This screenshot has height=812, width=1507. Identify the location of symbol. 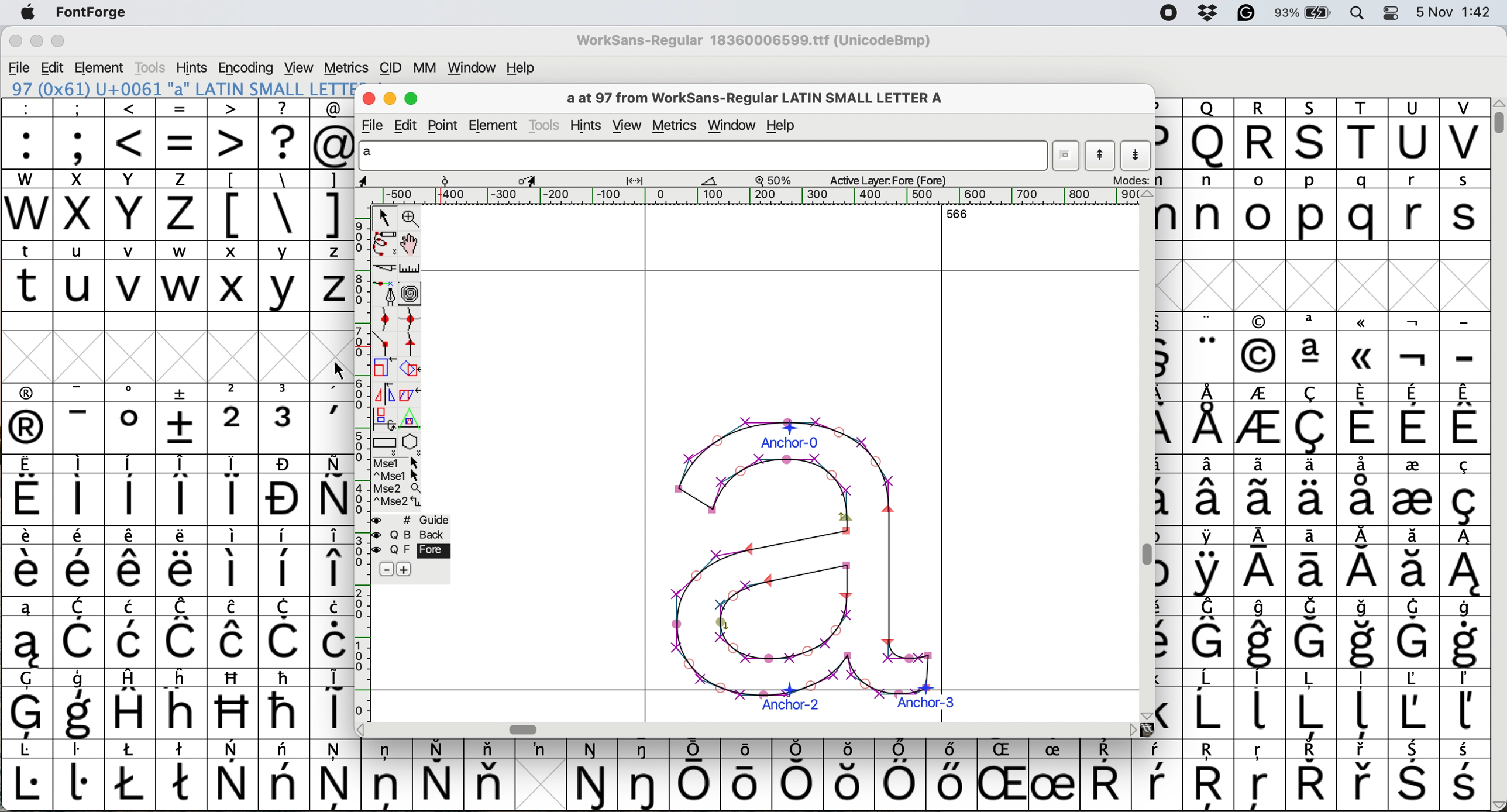
(646, 775).